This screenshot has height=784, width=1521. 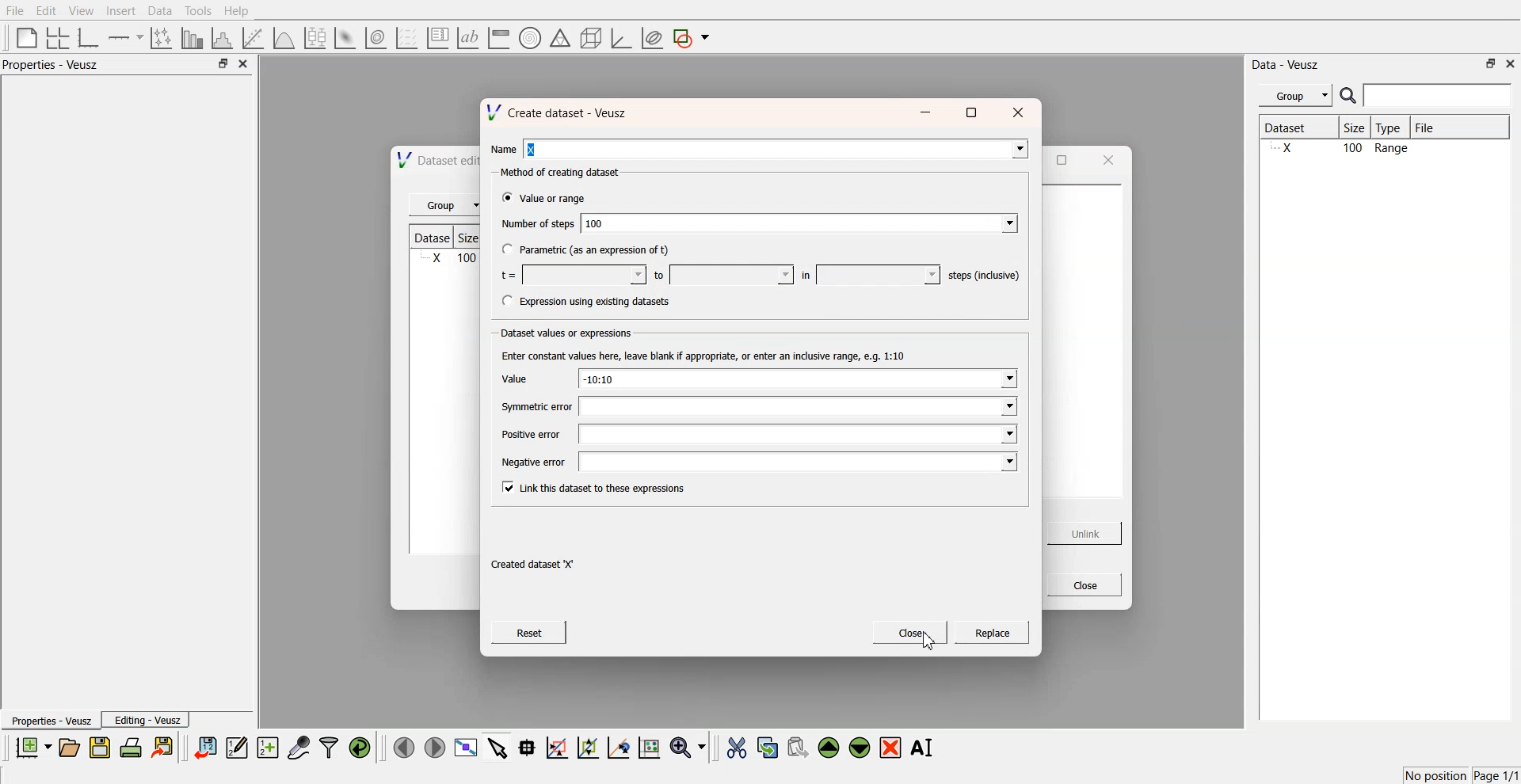 I want to click on reload the data points, so click(x=360, y=748).